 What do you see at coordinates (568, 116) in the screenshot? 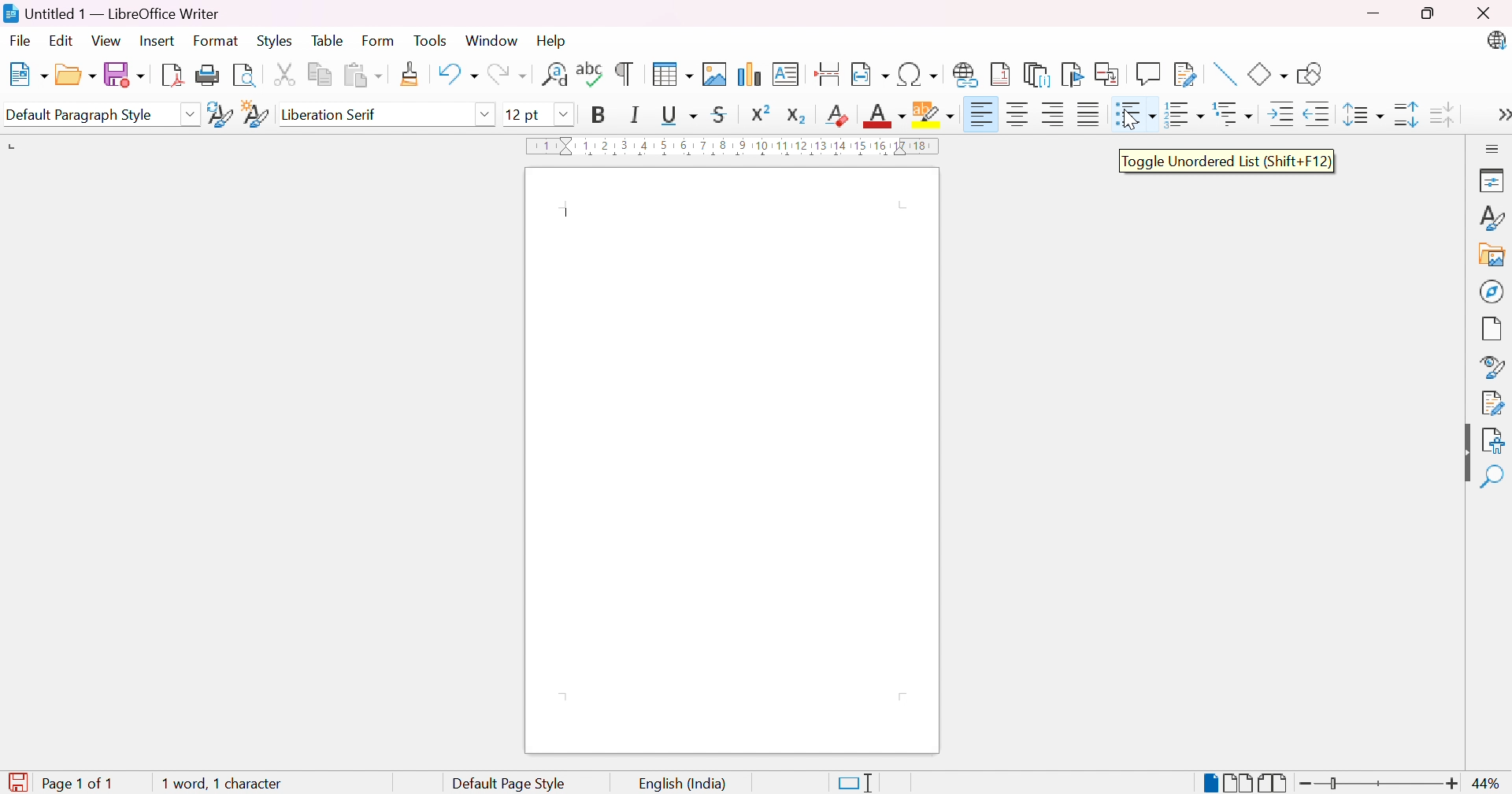
I see `Drop down` at bounding box center [568, 116].